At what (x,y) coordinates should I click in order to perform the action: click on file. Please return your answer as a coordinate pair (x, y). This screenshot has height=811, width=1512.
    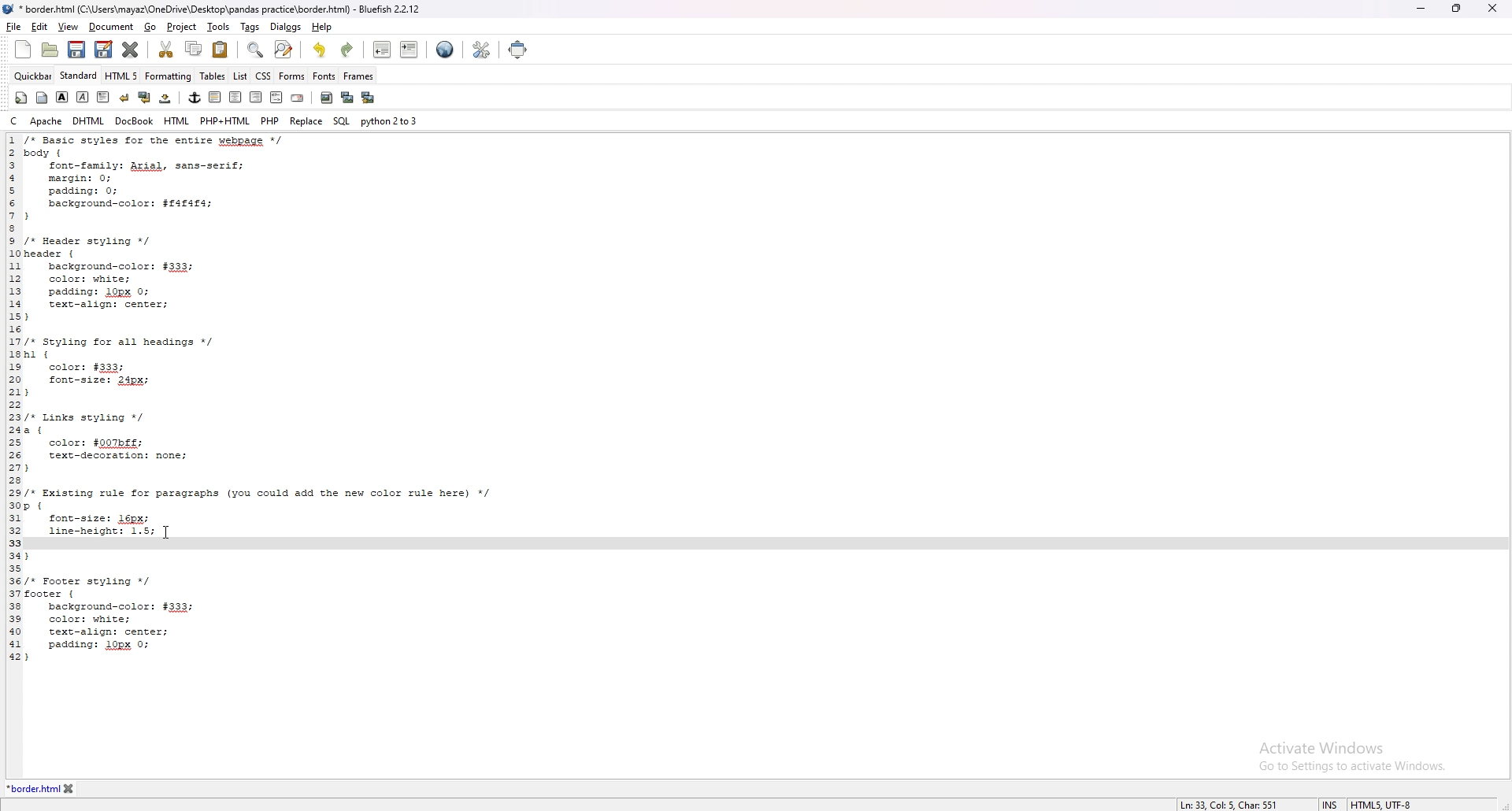
    Looking at the image, I should click on (14, 26).